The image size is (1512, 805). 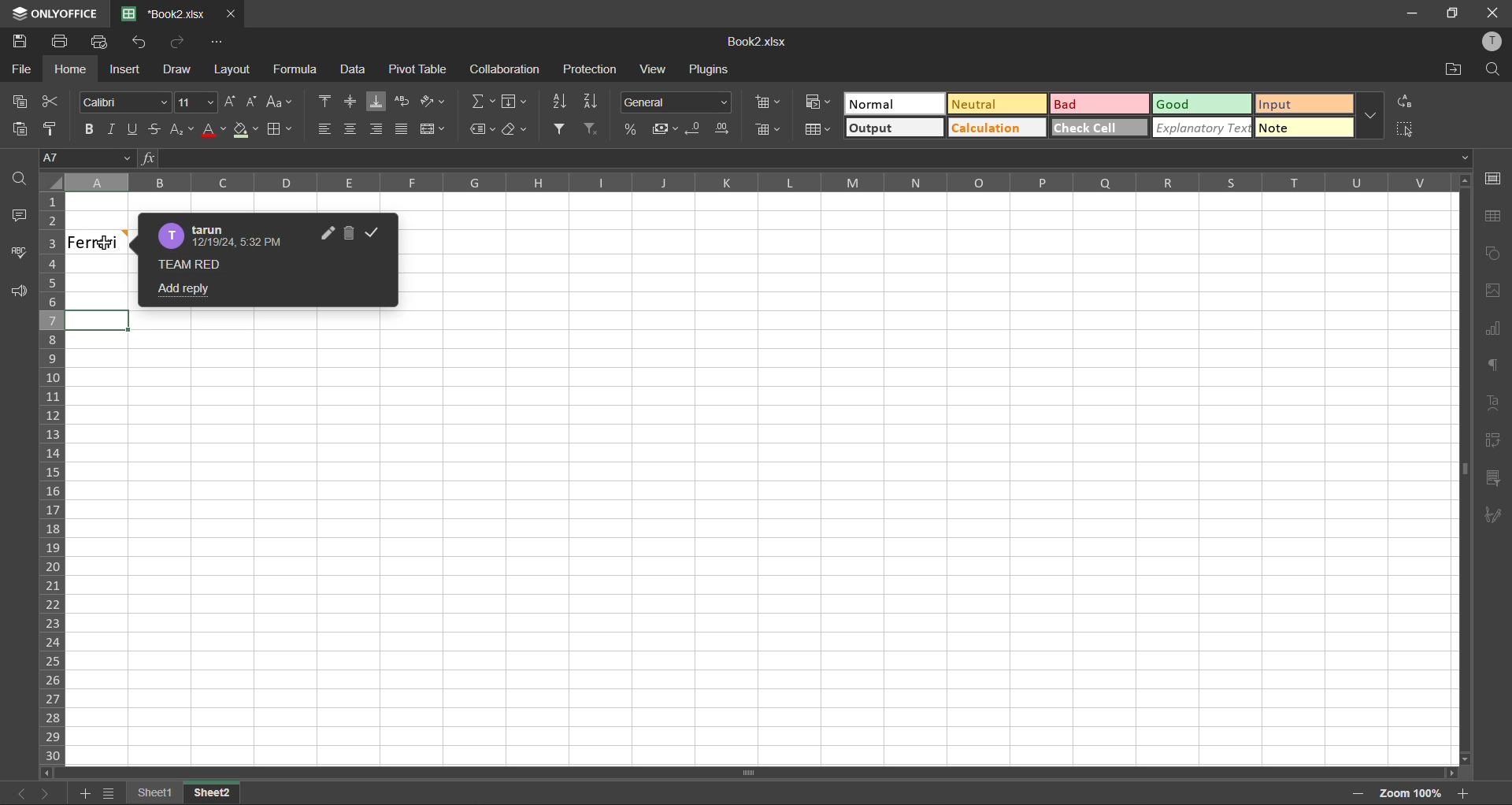 I want to click on note, so click(x=1301, y=128).